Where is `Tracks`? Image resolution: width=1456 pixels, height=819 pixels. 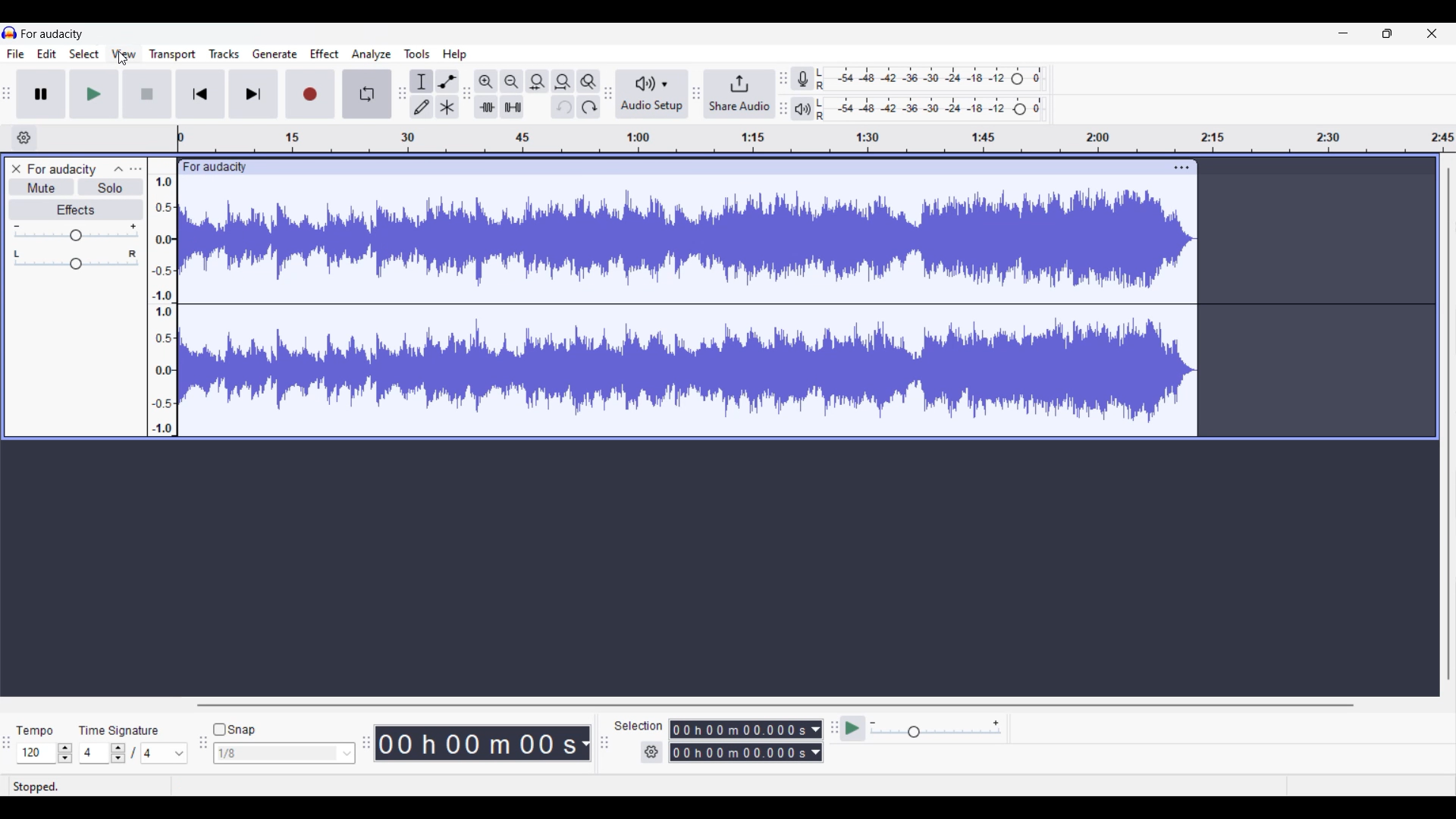
Tracks is located at coordinates (224, 54).